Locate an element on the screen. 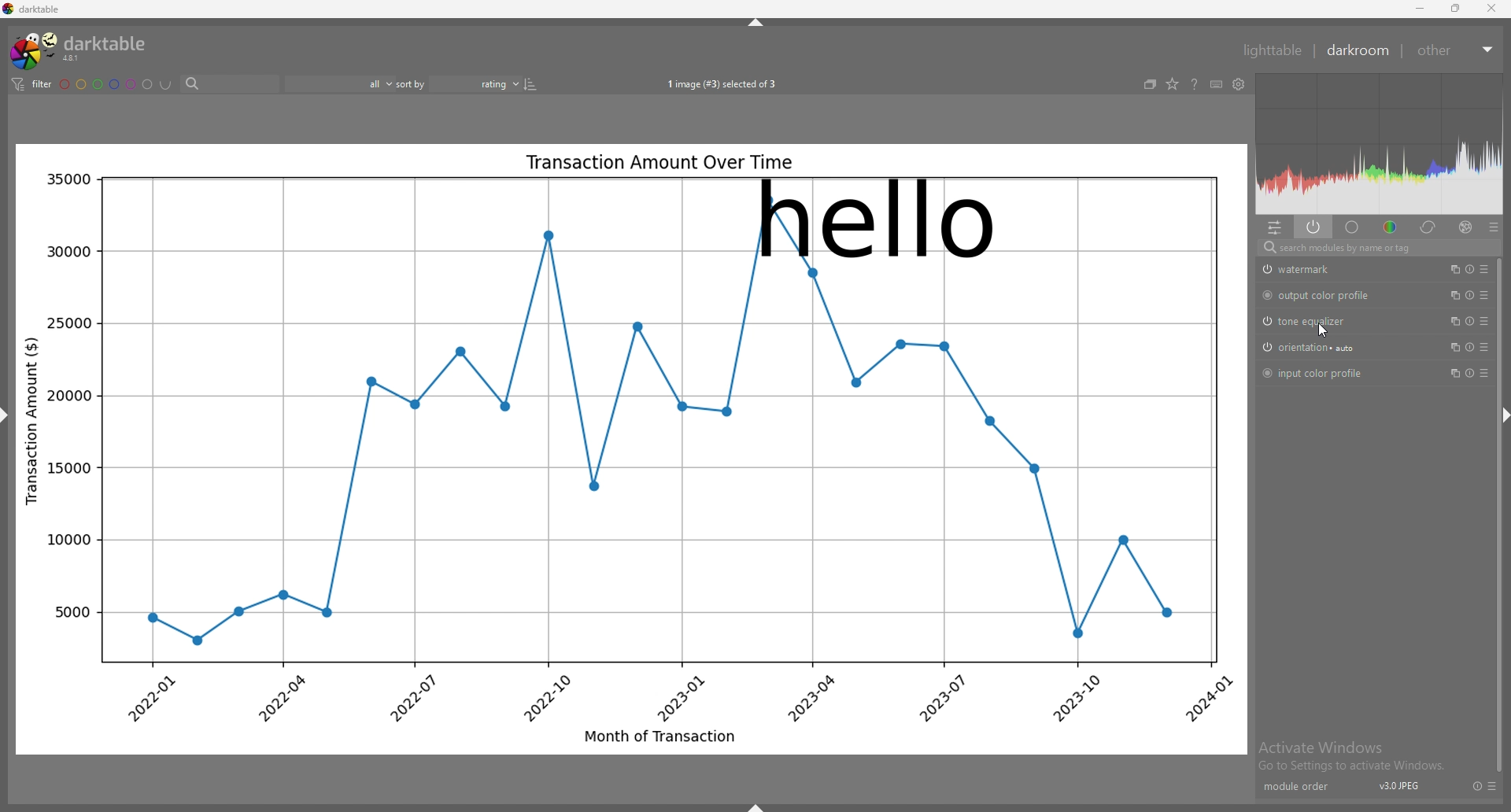  10000 is located at coordinates (66, 540).